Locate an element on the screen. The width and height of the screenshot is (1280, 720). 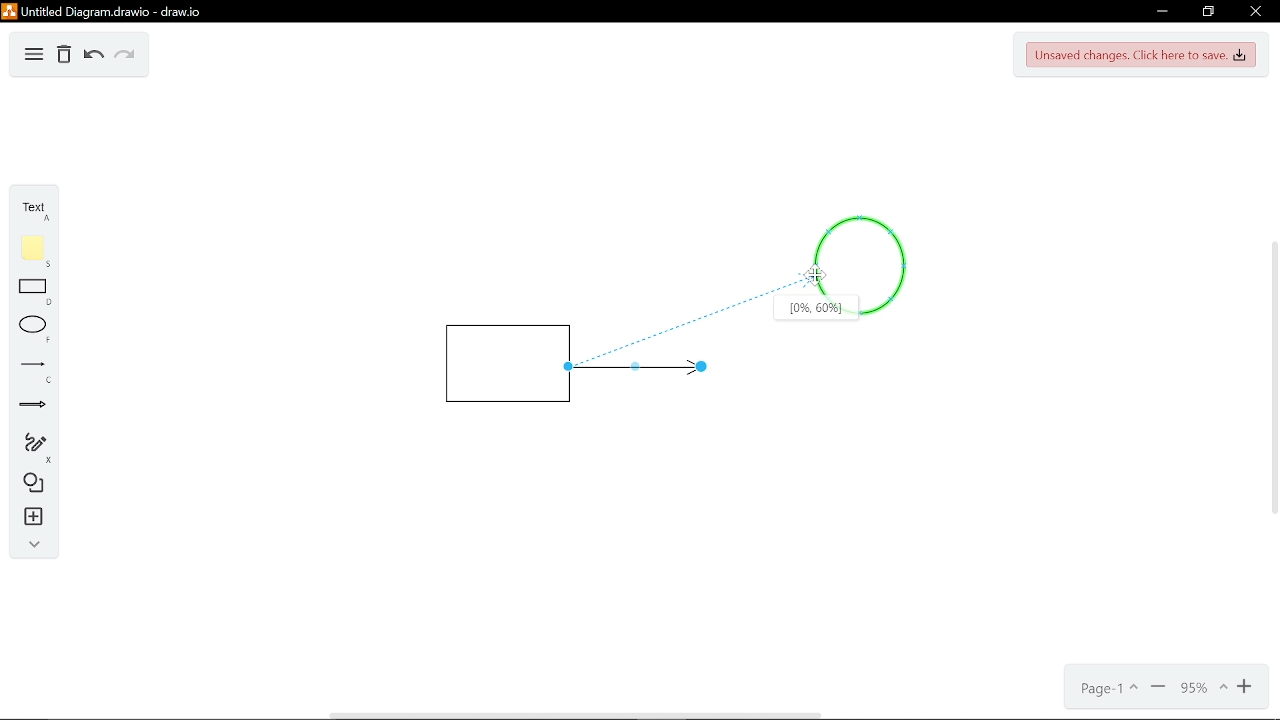
Collapse is located at coordinates (30, 544).